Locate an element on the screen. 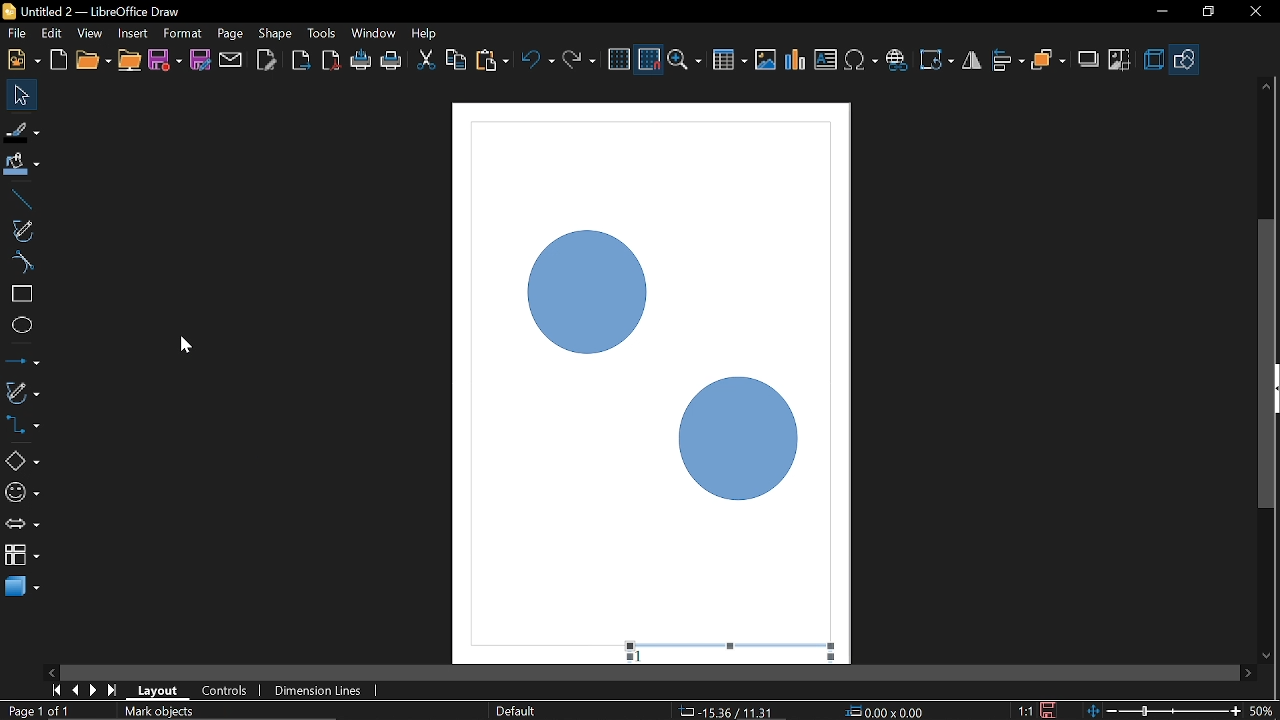  Draw shapes is located at coordinates (1185, 60).